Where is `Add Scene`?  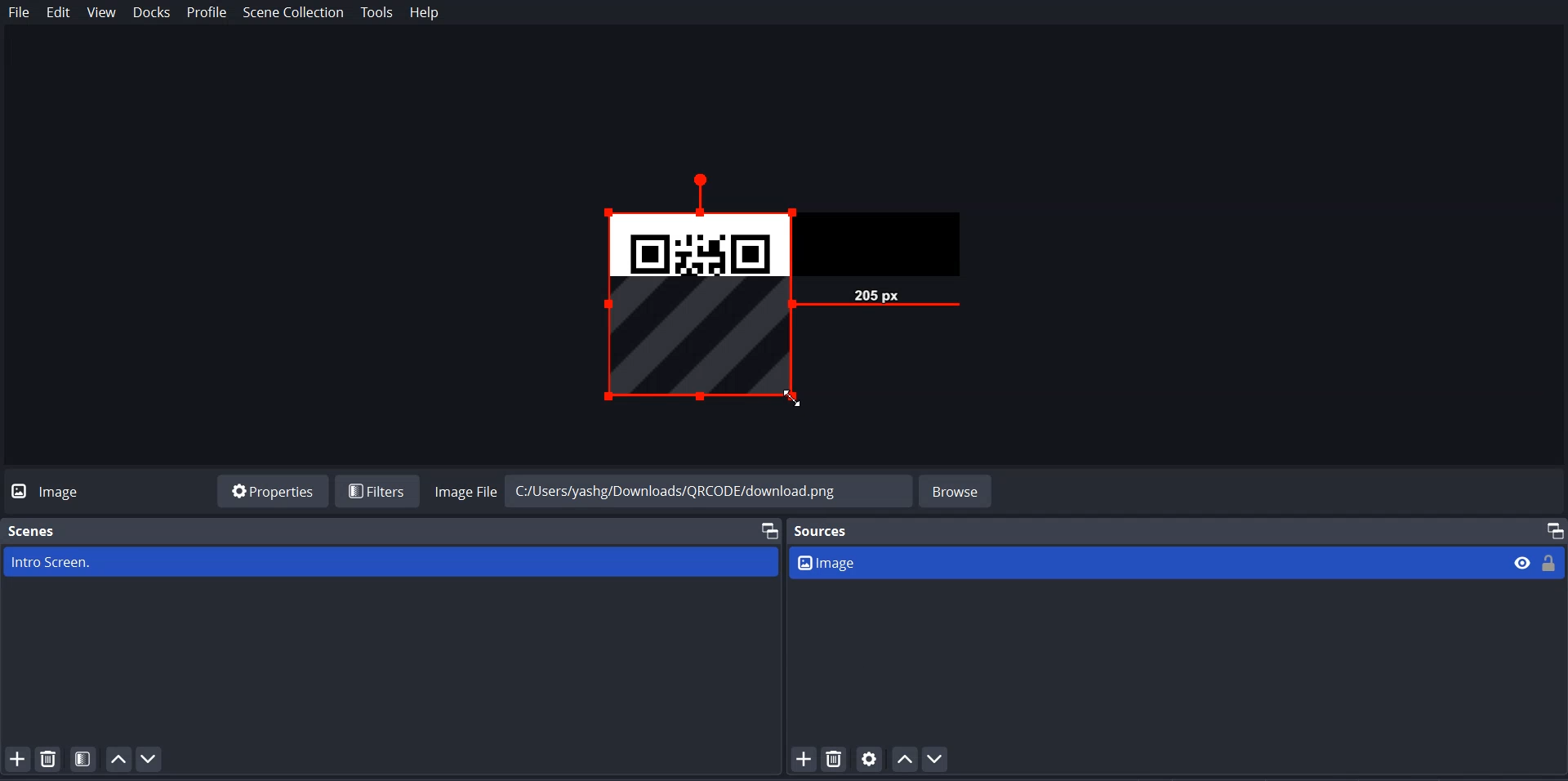
Add Scene is located at coordinates (16, 758).